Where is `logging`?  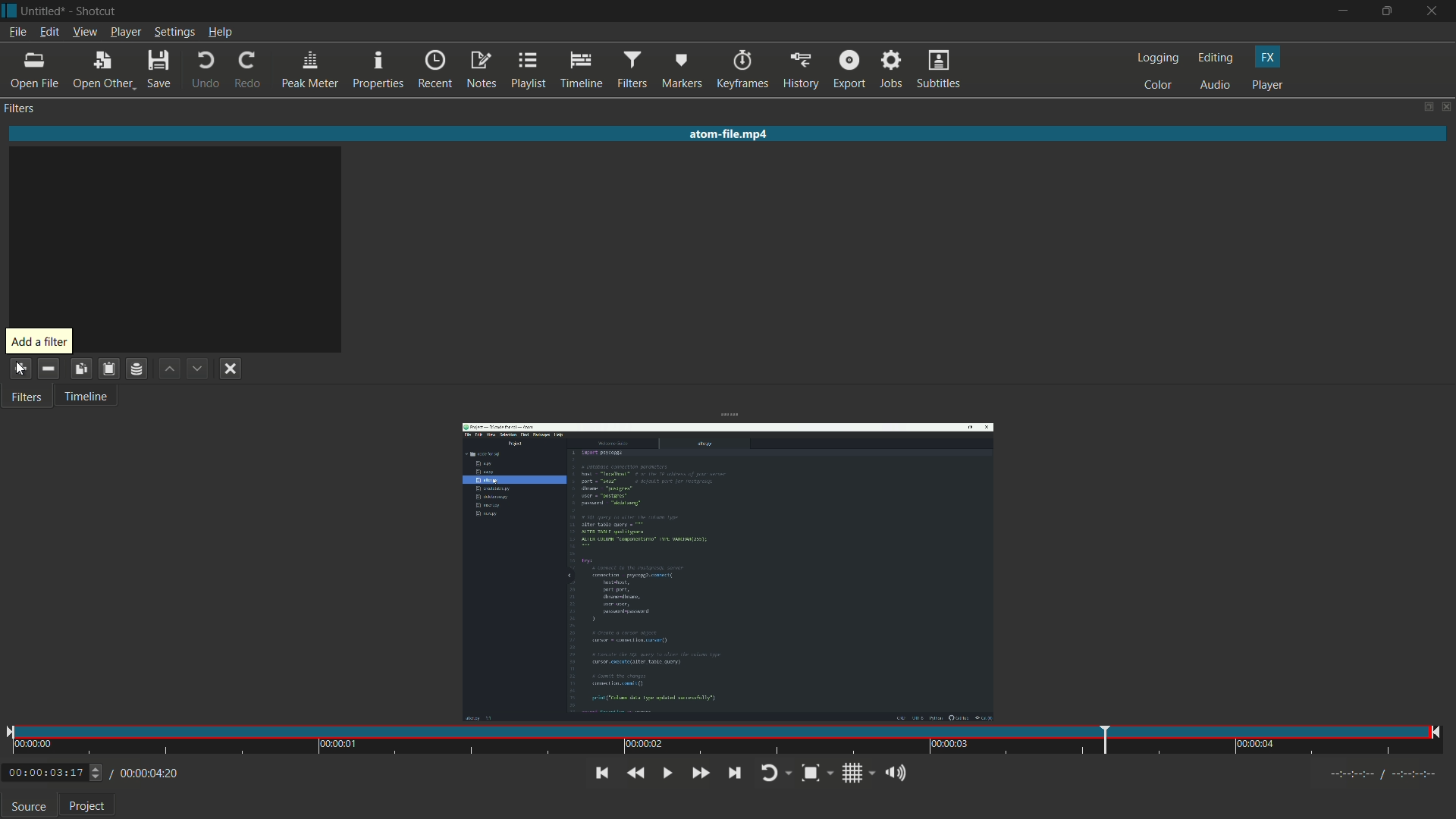 logging is located at coordinates (1159, 58).